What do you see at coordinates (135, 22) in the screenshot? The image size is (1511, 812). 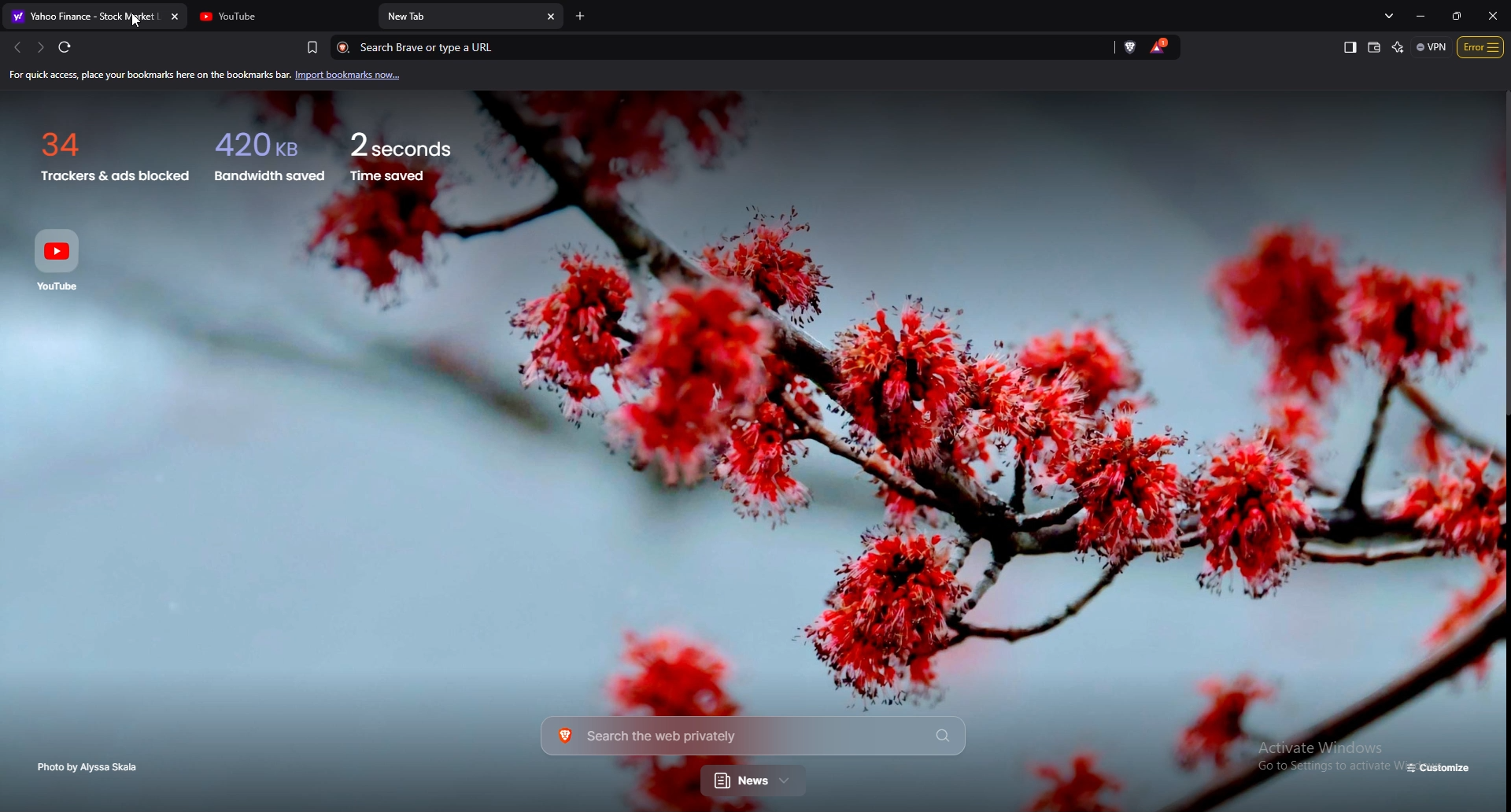 I see `cursor` at bounding box center [135, 22].